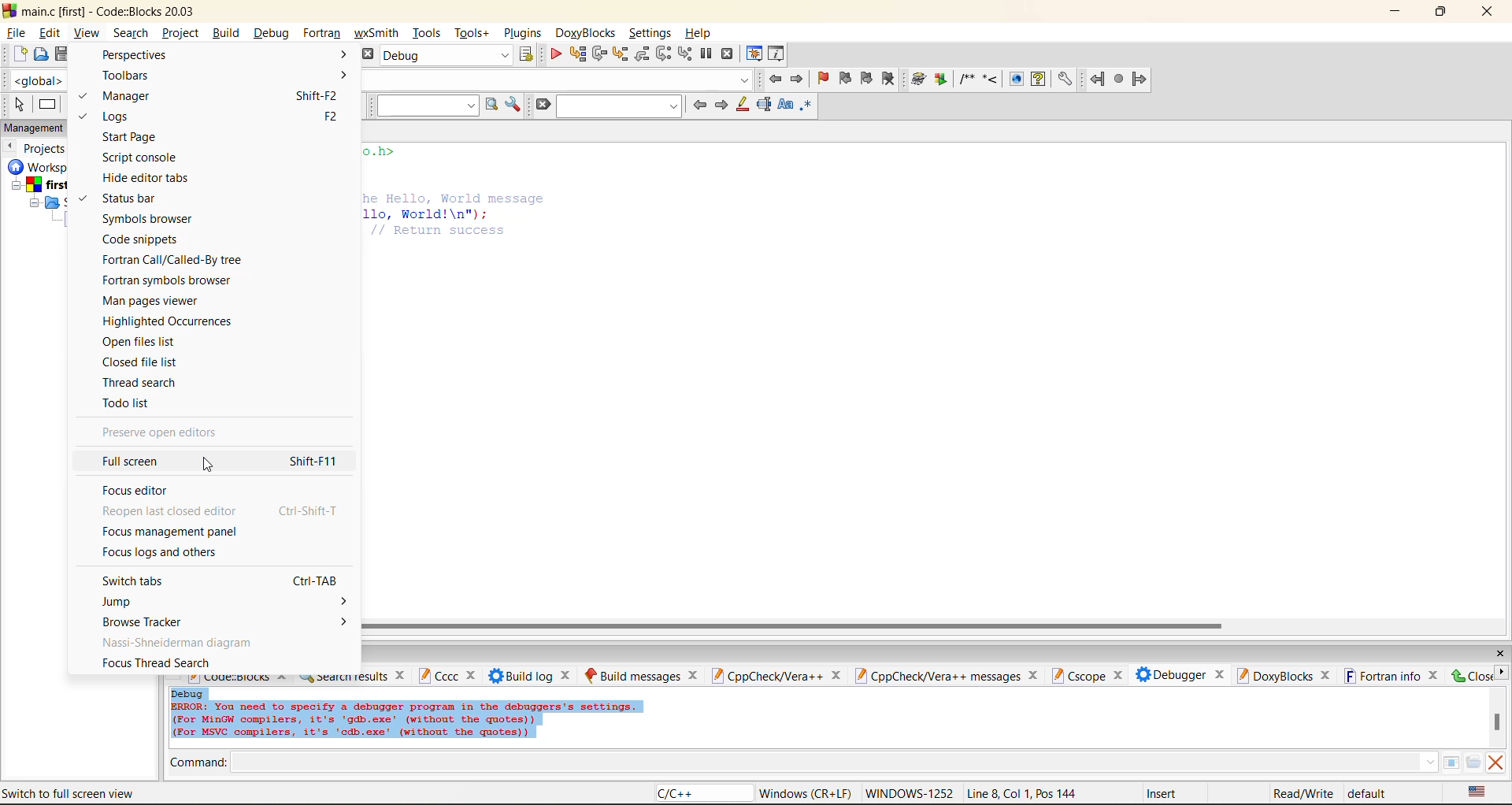 The image size is (1512, 805). Describe the element at coordinates (50, 32) in the screenshot. I see `edit` at that location.